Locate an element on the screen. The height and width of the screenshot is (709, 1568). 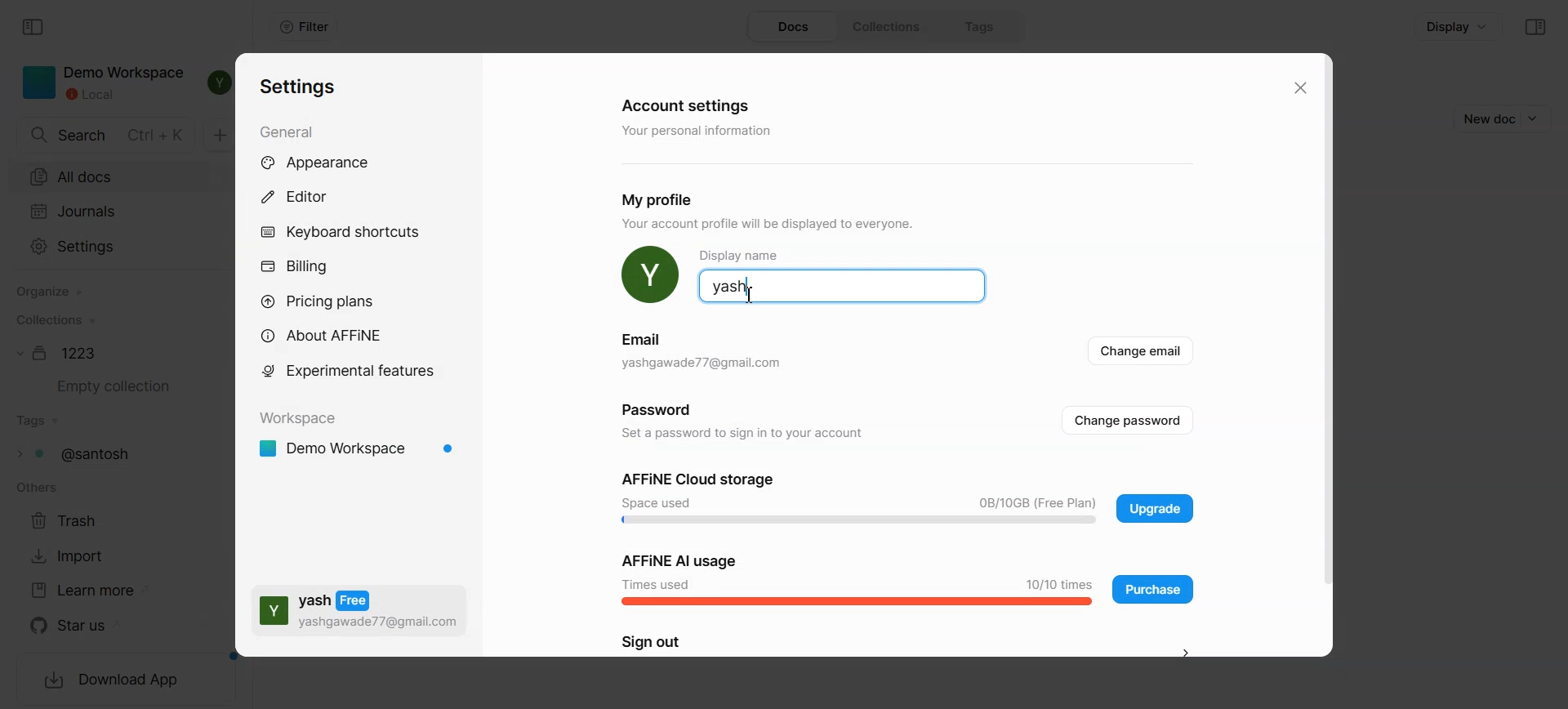
Space used bar is located at coordinates (859, 498).